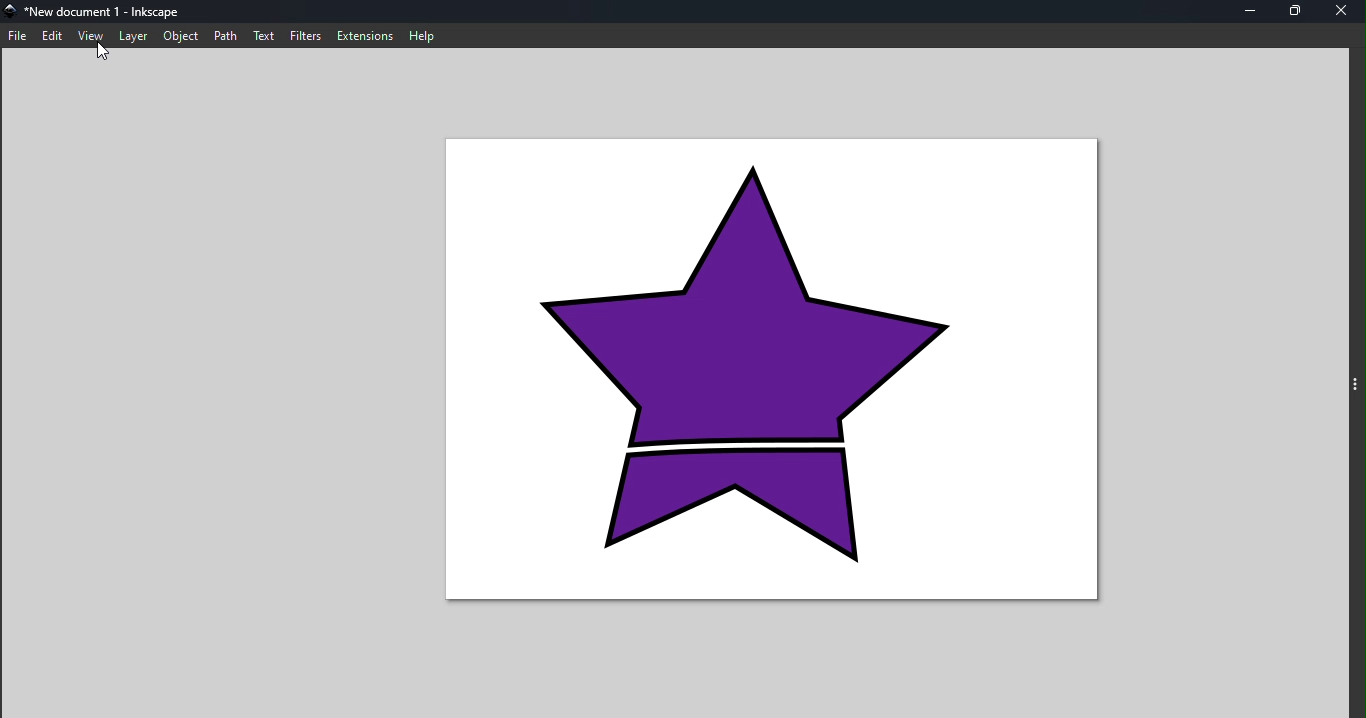 The image size is (1366, 718). I want to click on Layer, so click(135, 38).